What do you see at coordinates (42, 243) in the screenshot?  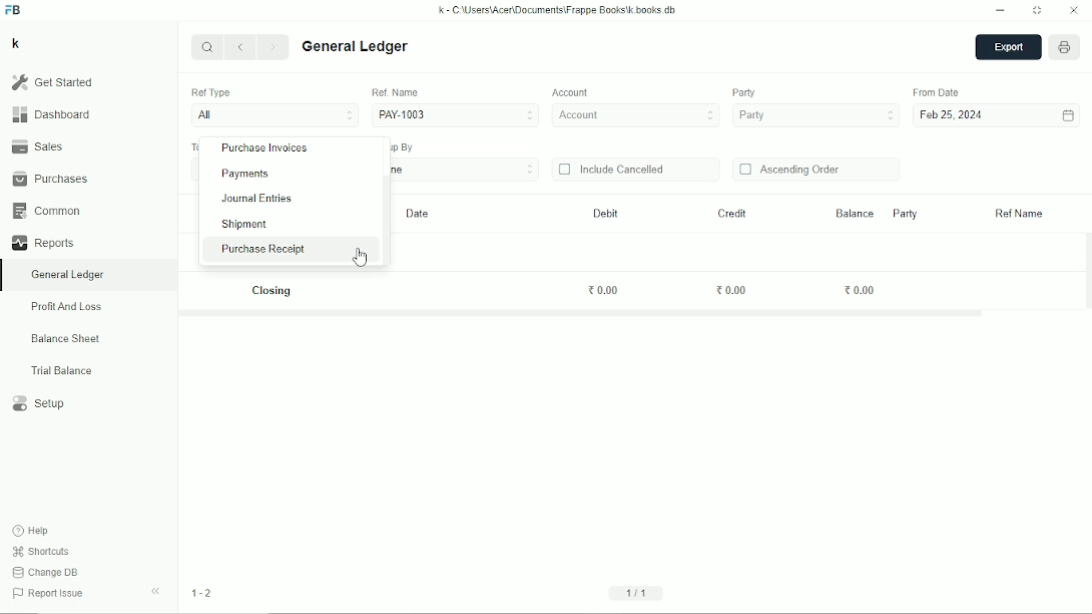 I see `Reports` at bounding box center [42, 243].